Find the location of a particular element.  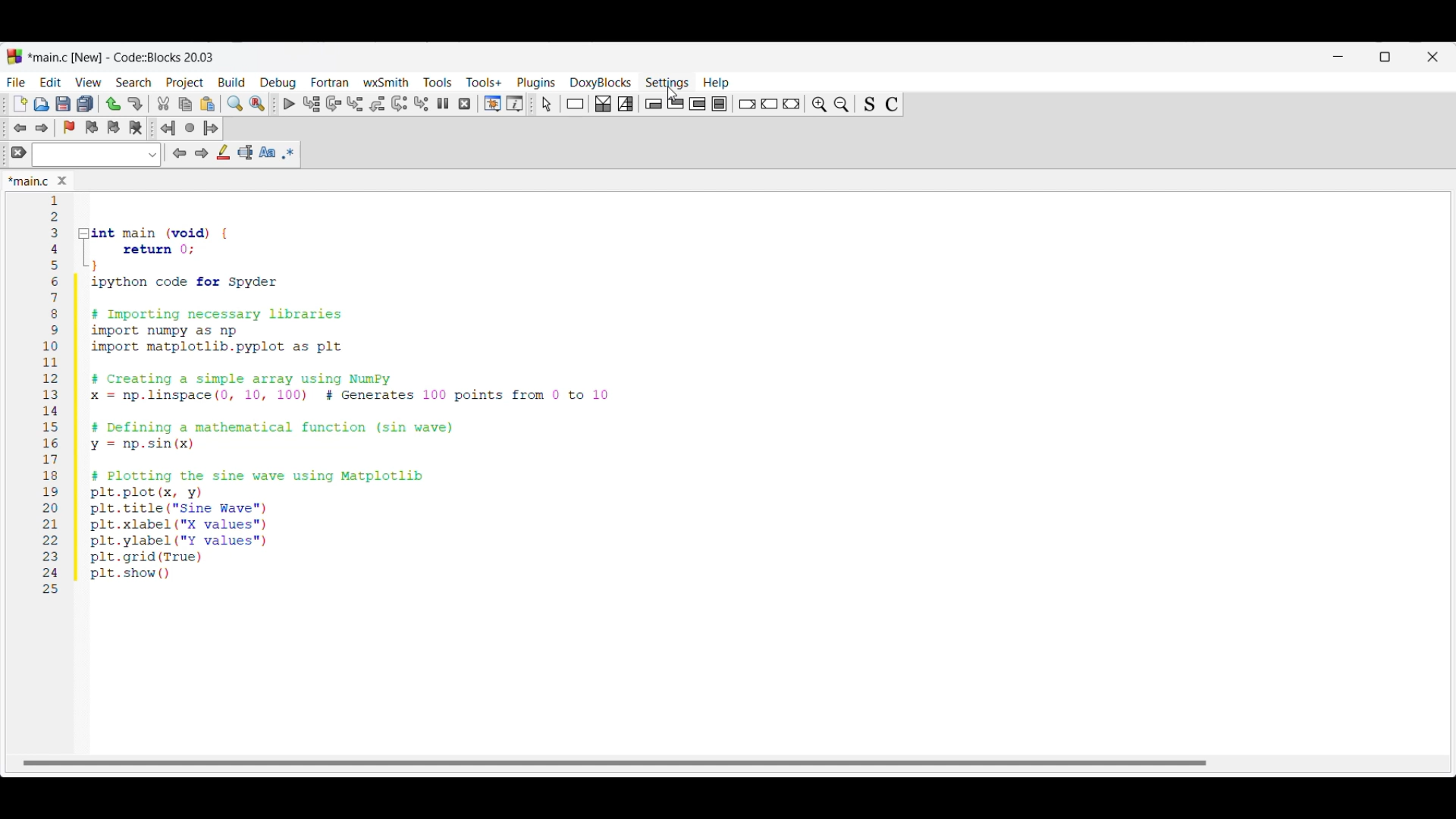

Counting loop is located at coordinates (697, 104).